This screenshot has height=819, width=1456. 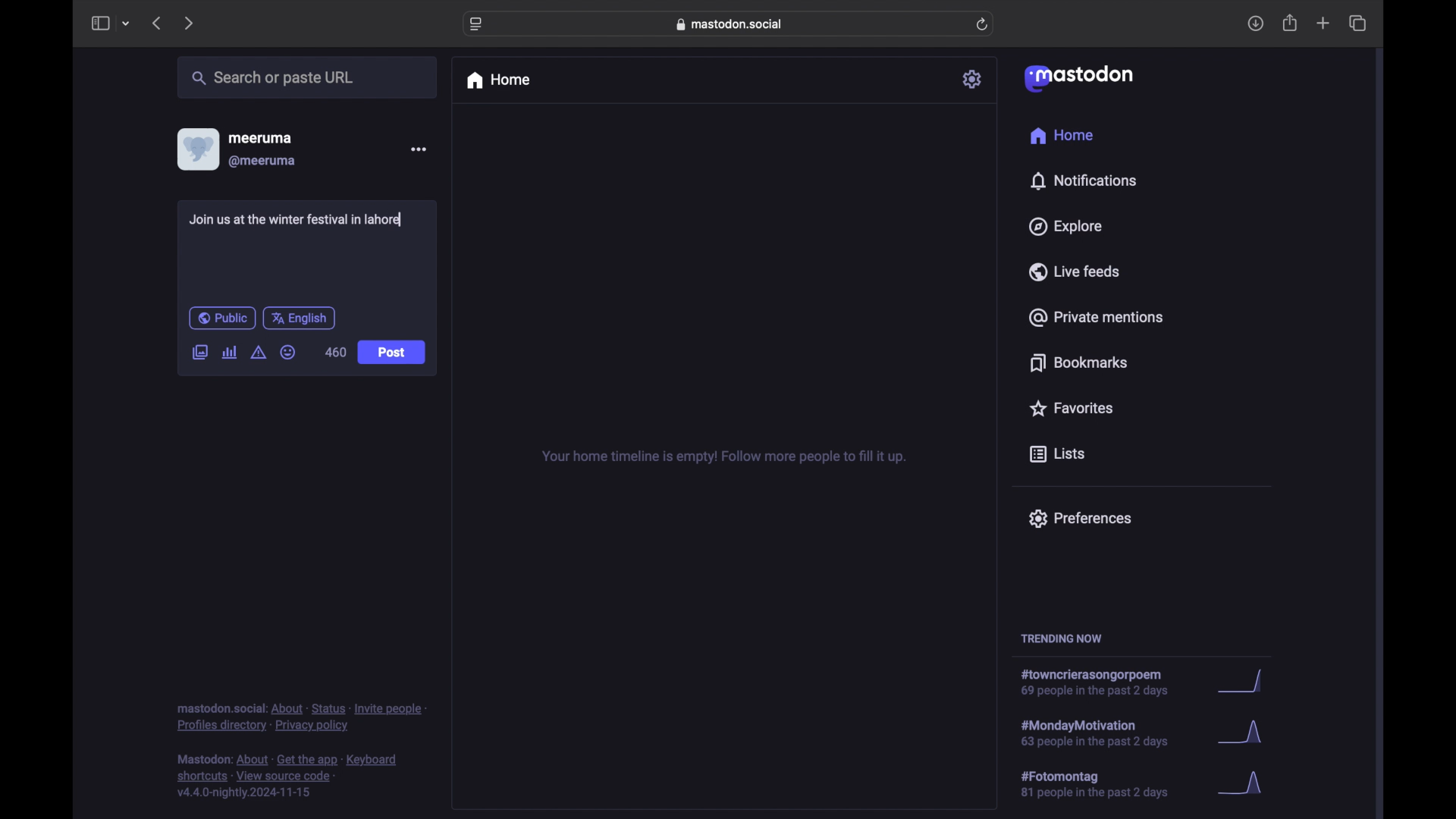 I want to click on footnote, so click(x=302, y=717).